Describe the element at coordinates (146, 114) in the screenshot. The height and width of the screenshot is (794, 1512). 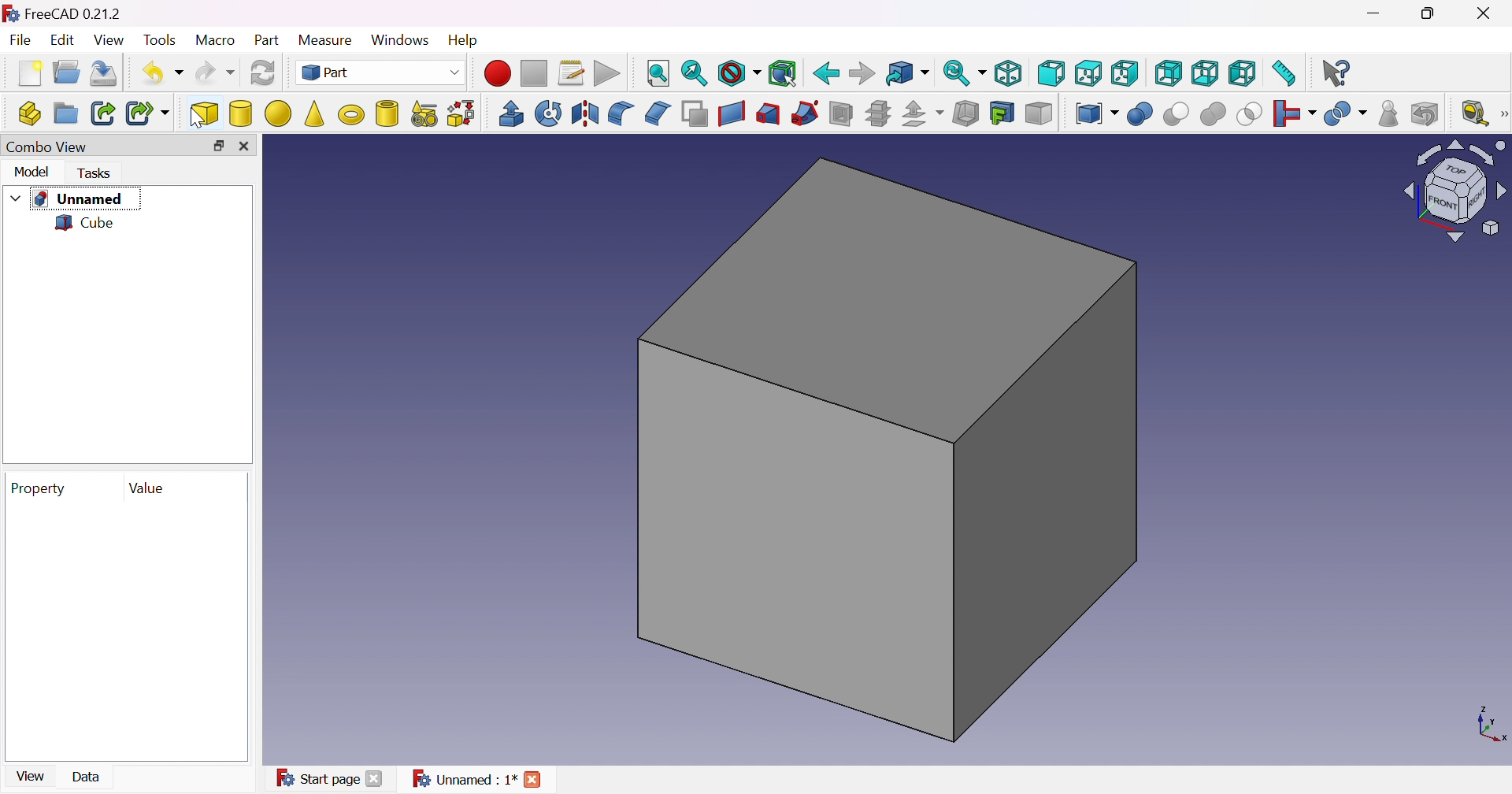
I see `Make sub-link` at that location.